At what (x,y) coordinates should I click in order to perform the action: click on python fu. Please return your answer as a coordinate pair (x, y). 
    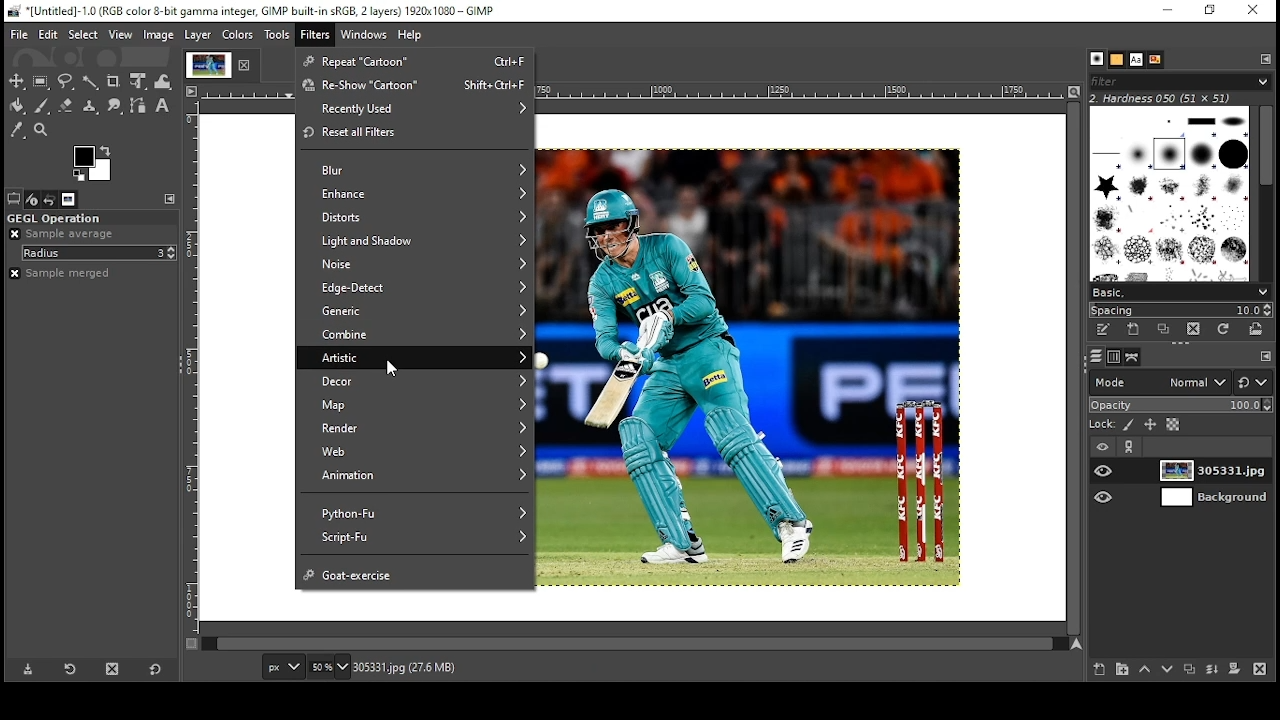
    Looking at the image, I should click on (417, 511).